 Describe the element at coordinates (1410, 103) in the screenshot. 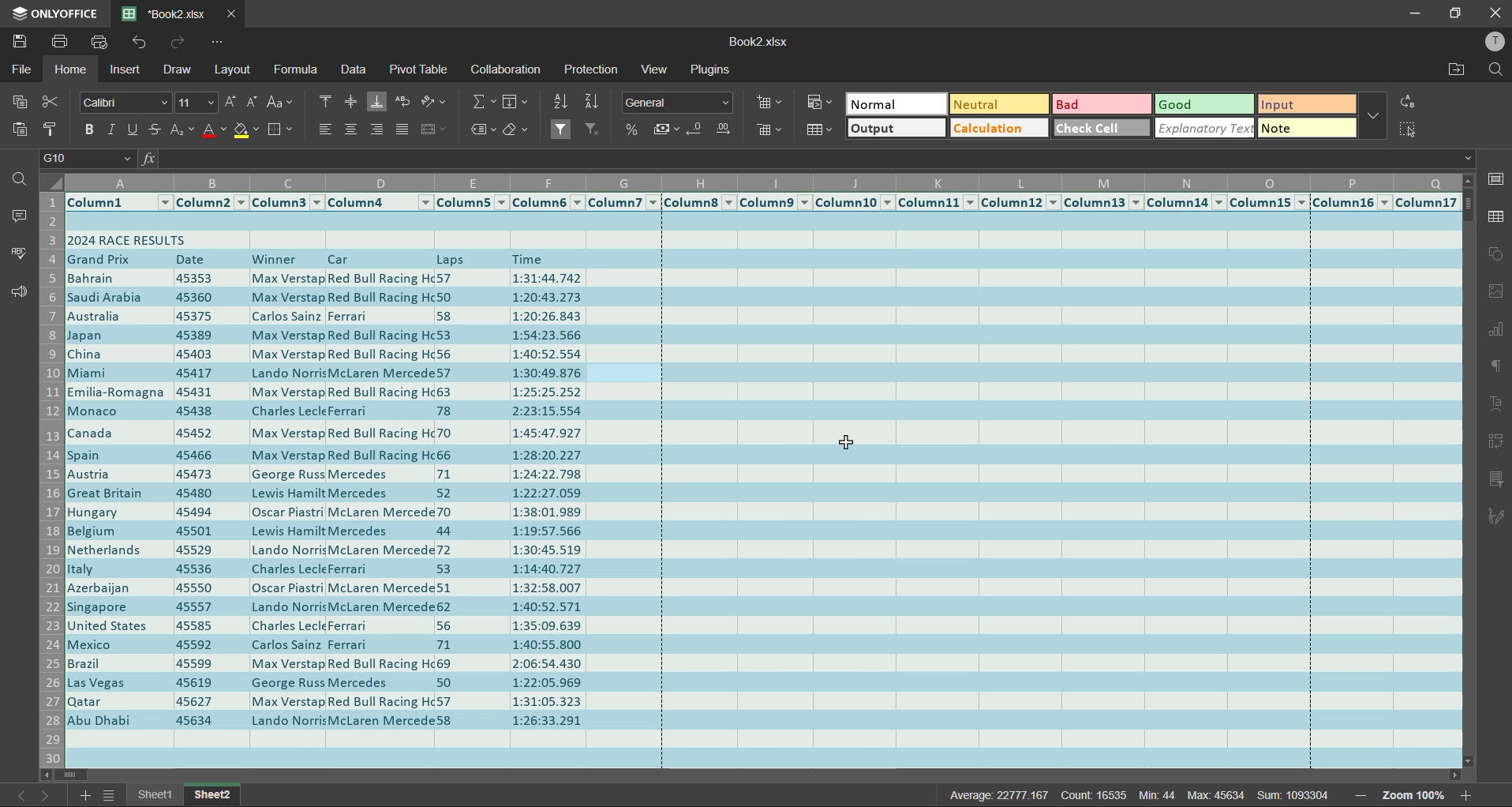

I see `replace` at that location.